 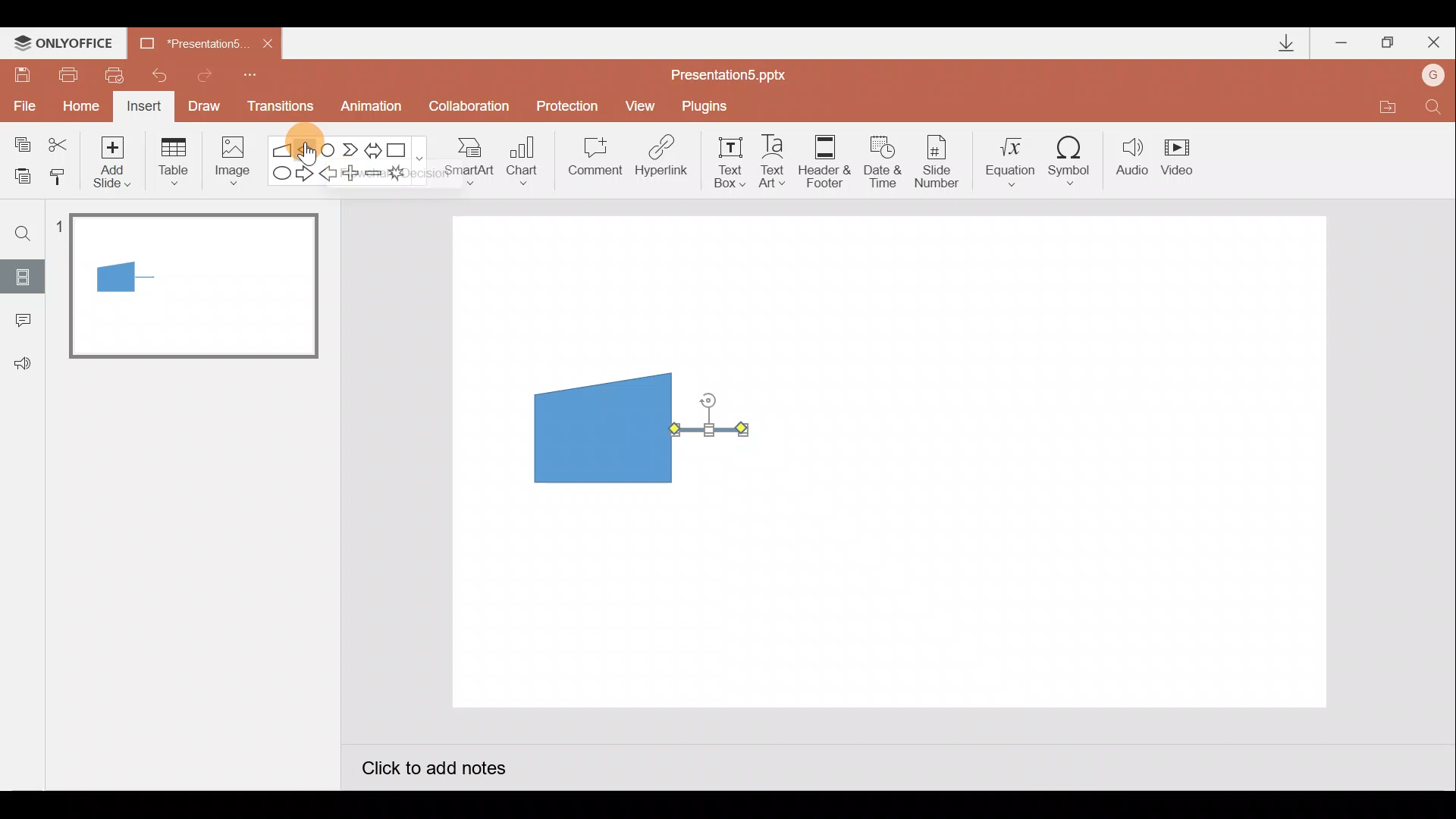 What do you see at coordinates (1284, 44) in the screenshot?
I see `Downloads` at bounding box center [1284, 44].